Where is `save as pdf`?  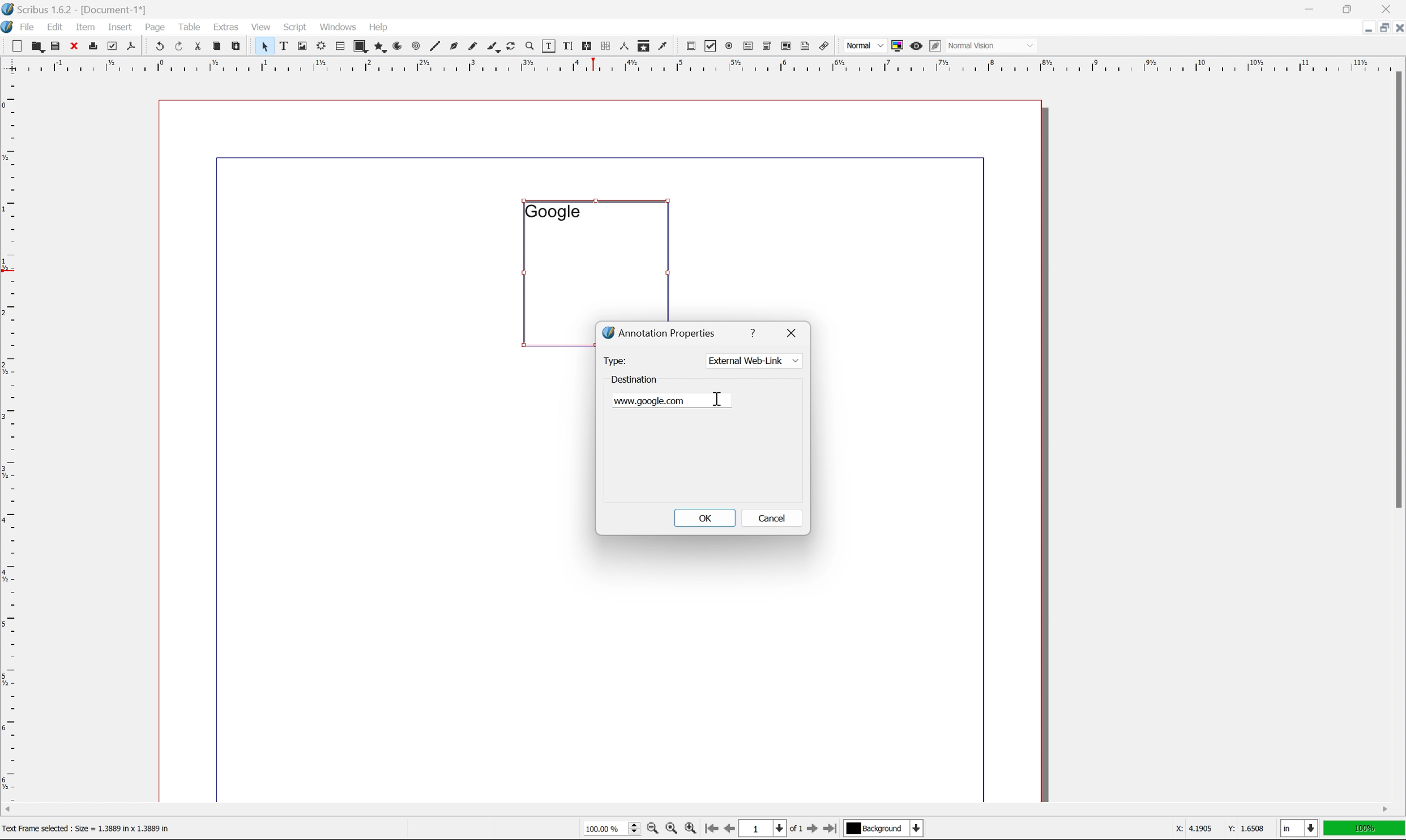
save as pdf is located at coordinates (132, 46).